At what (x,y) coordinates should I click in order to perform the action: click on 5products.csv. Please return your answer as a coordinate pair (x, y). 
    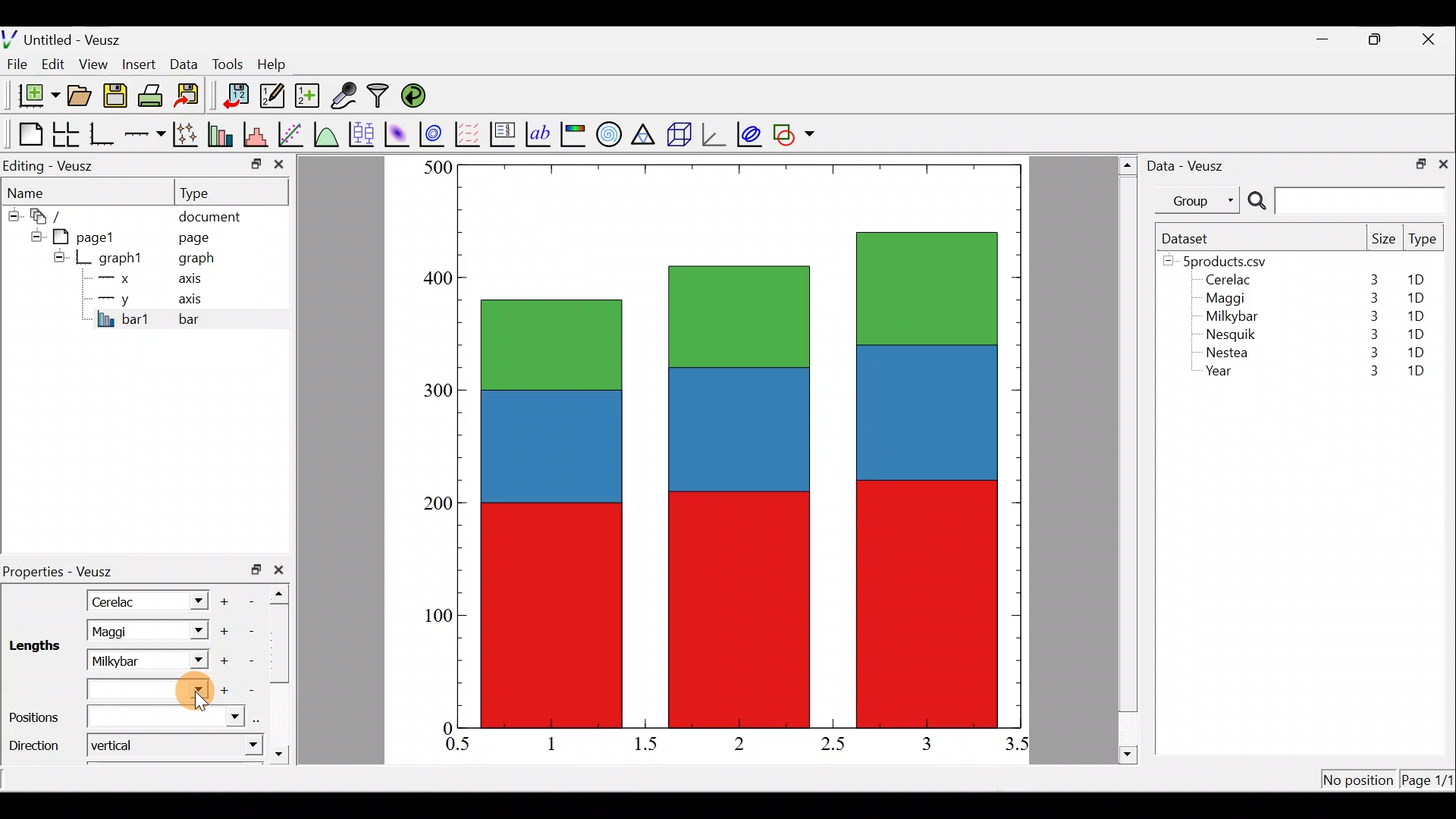
    Looking at the image, I should click on (1223, 260).